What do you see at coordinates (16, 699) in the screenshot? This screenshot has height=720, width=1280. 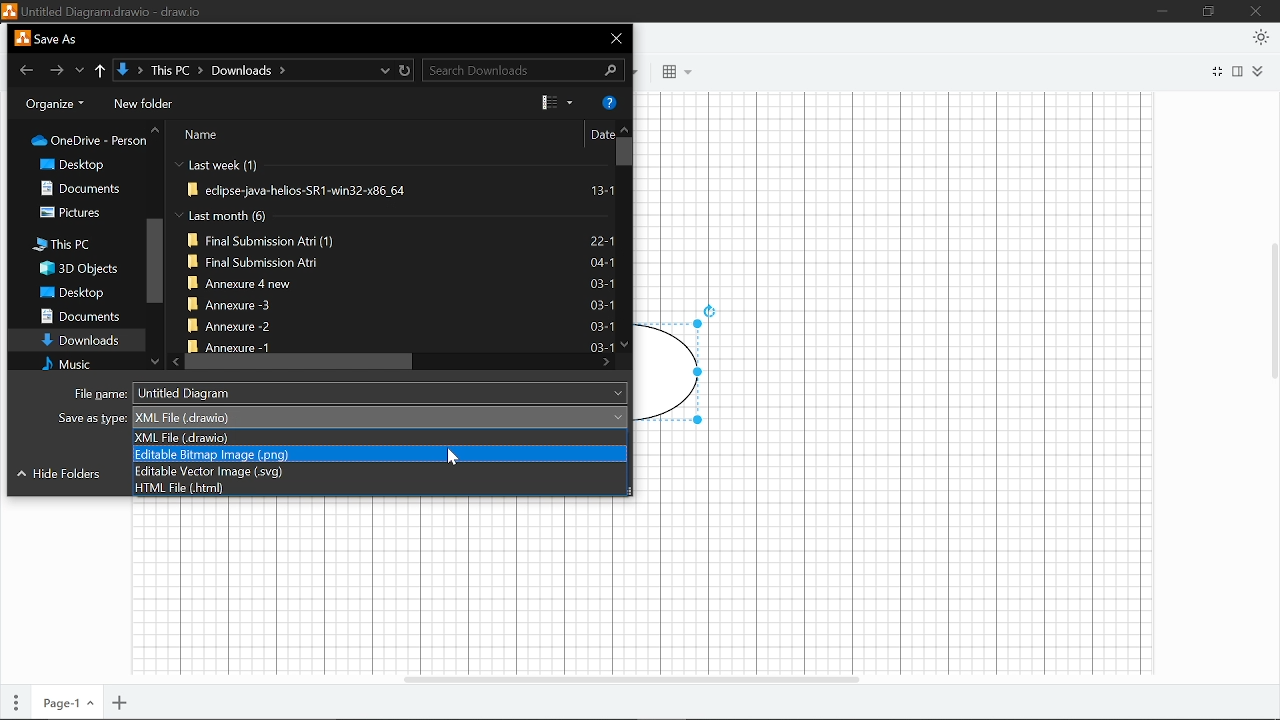 I see `Pages` at bounding box center [16, 699].